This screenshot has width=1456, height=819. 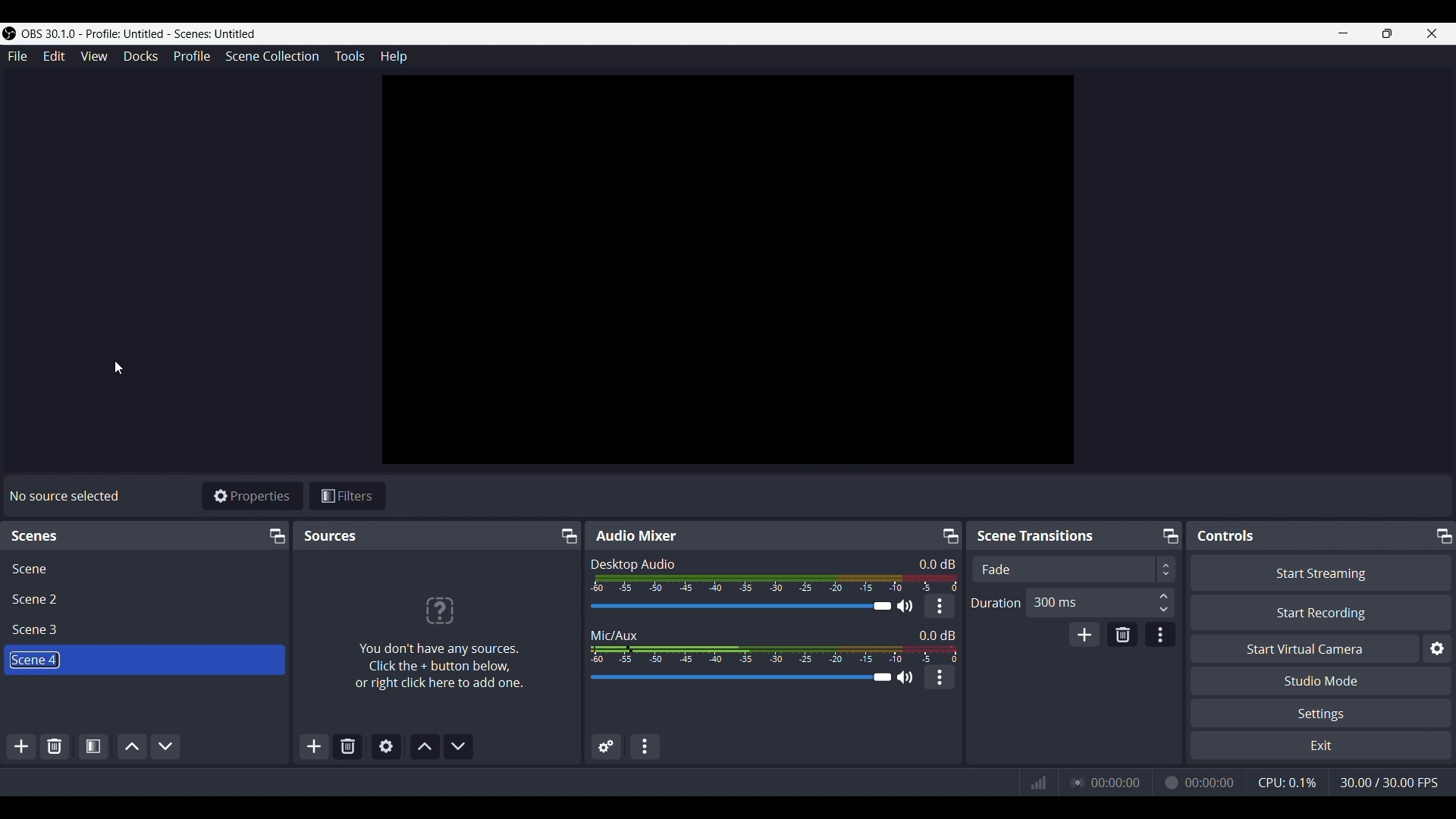 I want to click on  Undock/Pop-out icon, so click(x=566, y=536).